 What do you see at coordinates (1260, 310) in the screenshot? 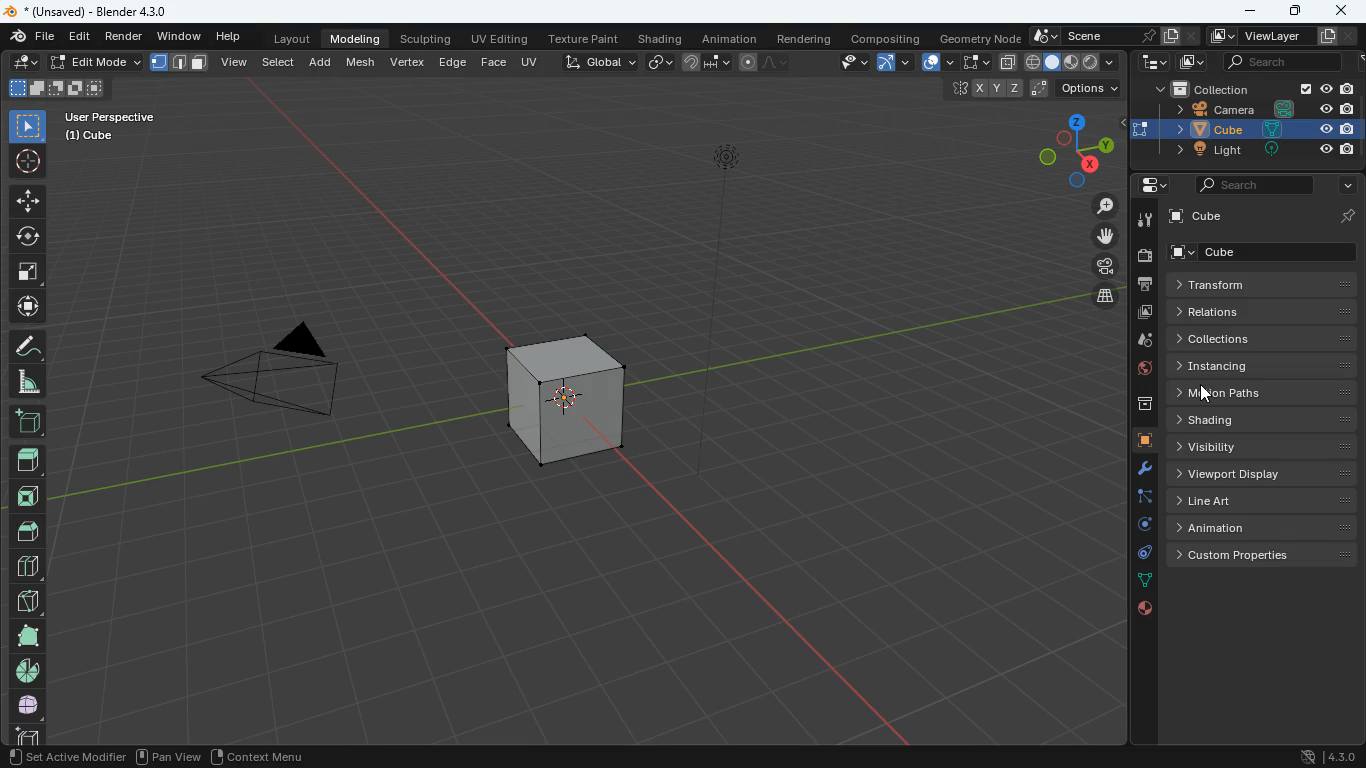
I see `relations` at bounding box center [1260, 310].